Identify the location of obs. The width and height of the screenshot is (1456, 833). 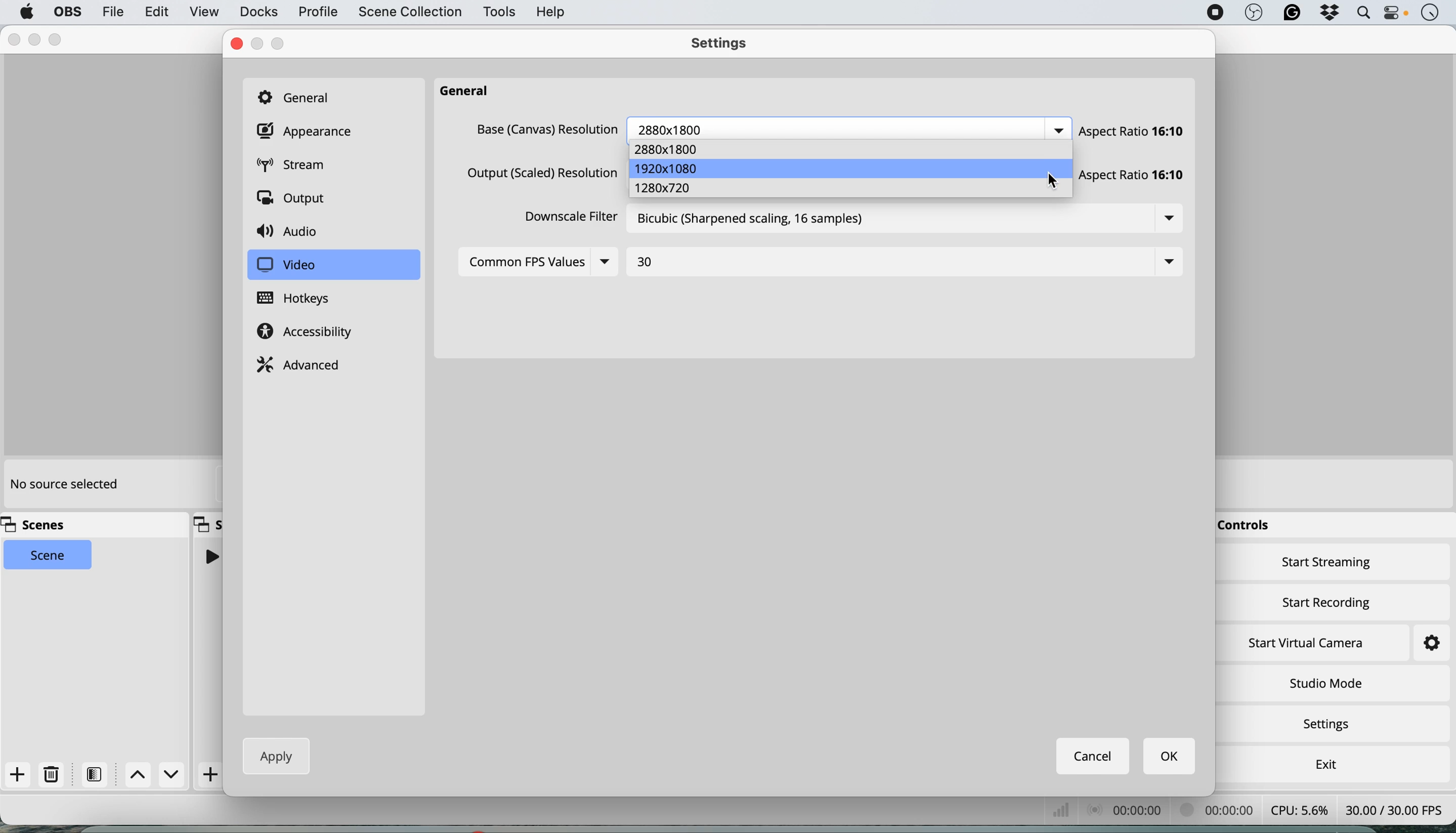
(1252, 13).